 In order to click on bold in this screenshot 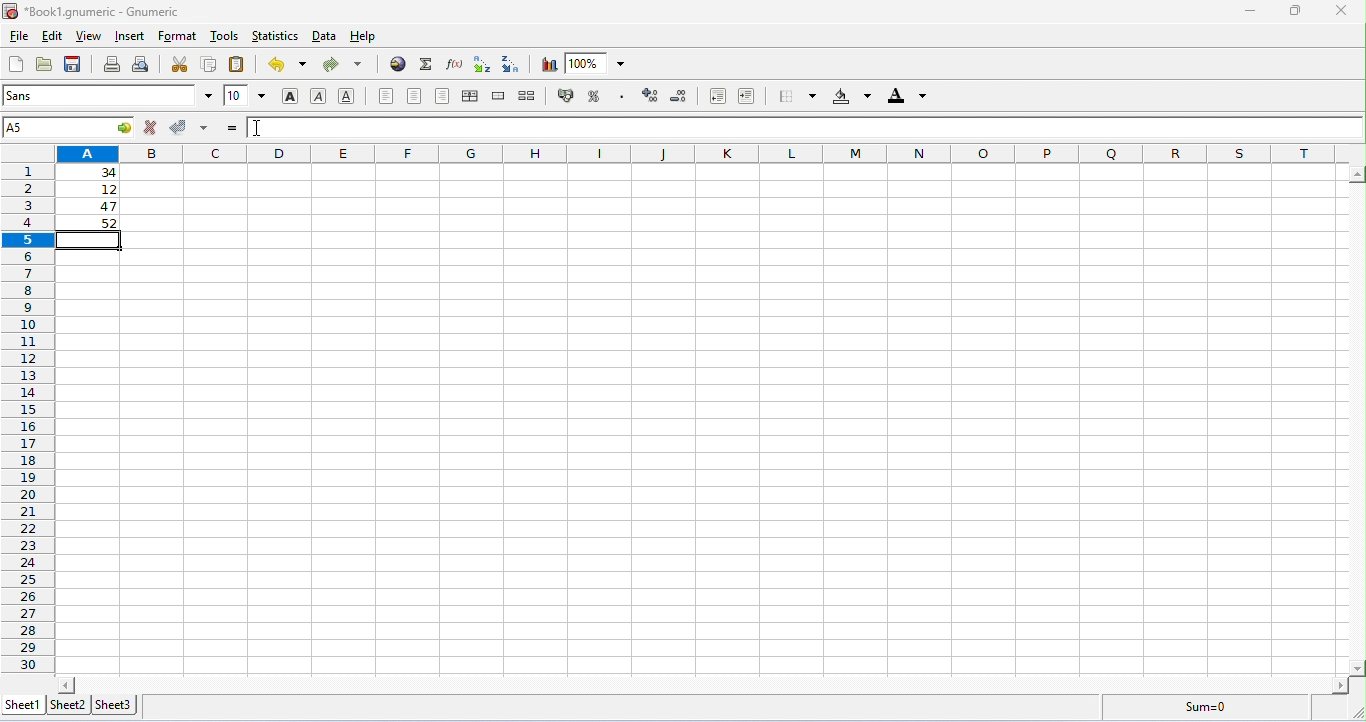, I will do `click(291, 97)`.